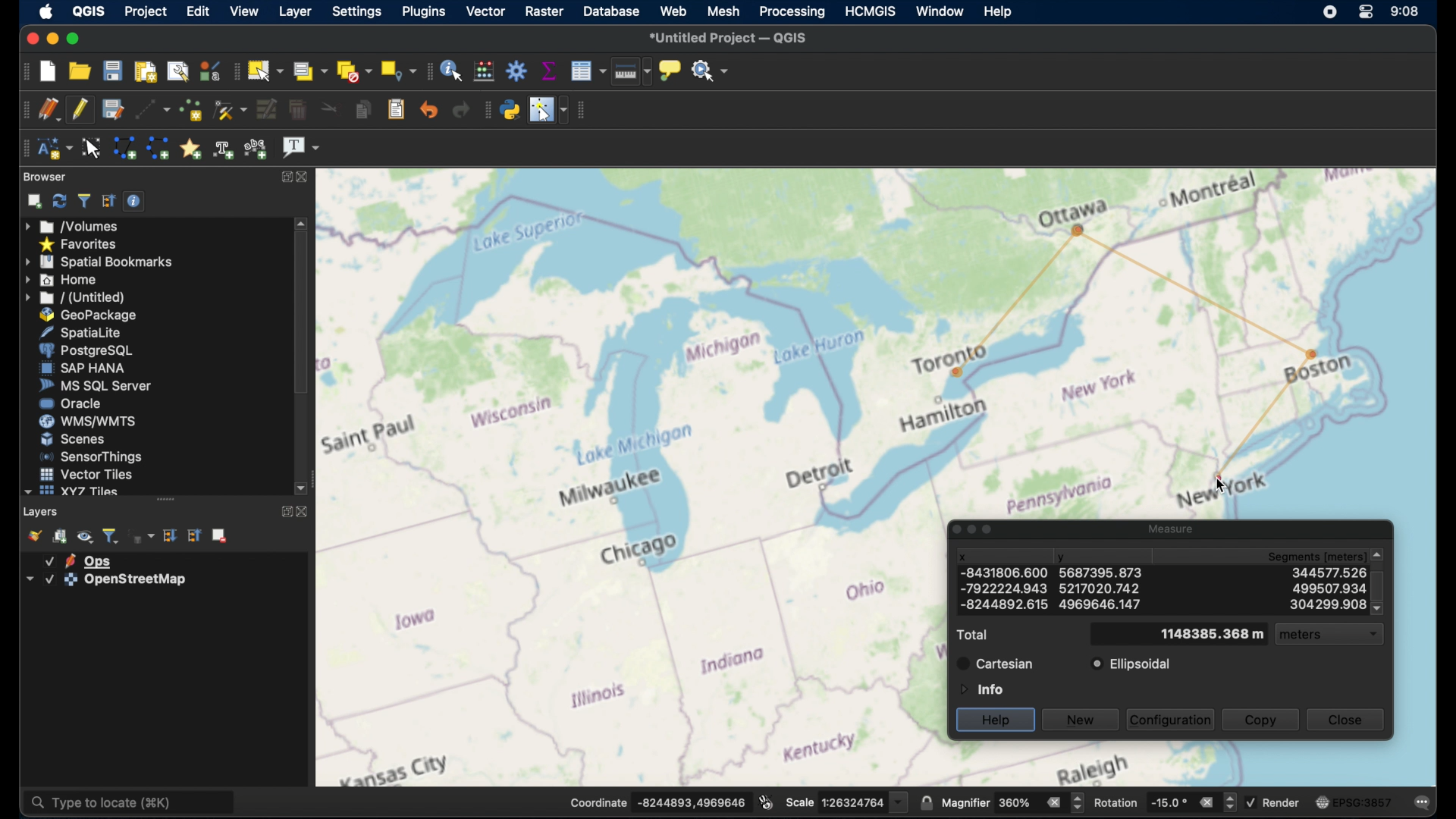 The width and height of the screenshot is (1456, 819). What do you see at coordinates (1063, 559) in the screenshot?
I see `y` at bounding box center [1063, 559].